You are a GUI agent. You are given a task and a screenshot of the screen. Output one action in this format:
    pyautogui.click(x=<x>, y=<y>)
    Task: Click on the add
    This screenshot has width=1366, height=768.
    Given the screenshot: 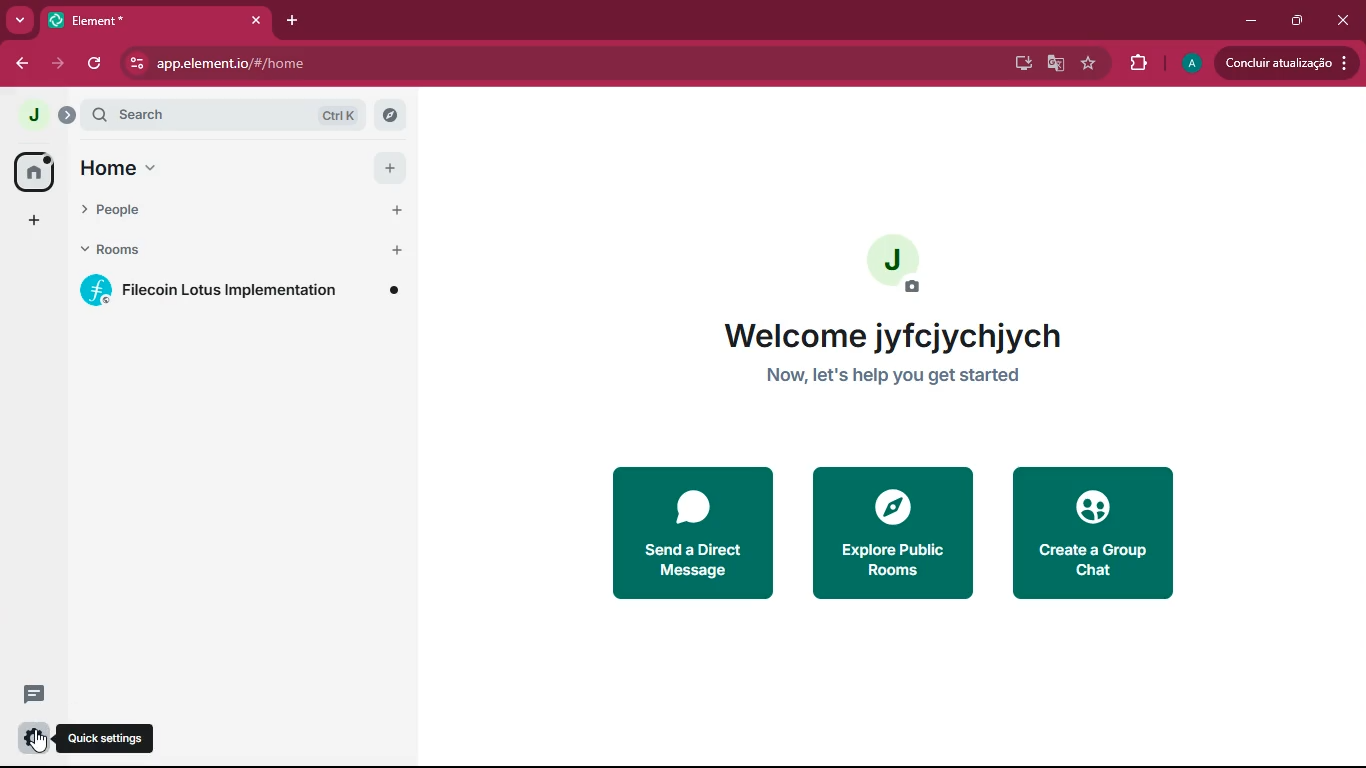 What is the action you would take?
    pyautogui.click(x=30, y=221)
    